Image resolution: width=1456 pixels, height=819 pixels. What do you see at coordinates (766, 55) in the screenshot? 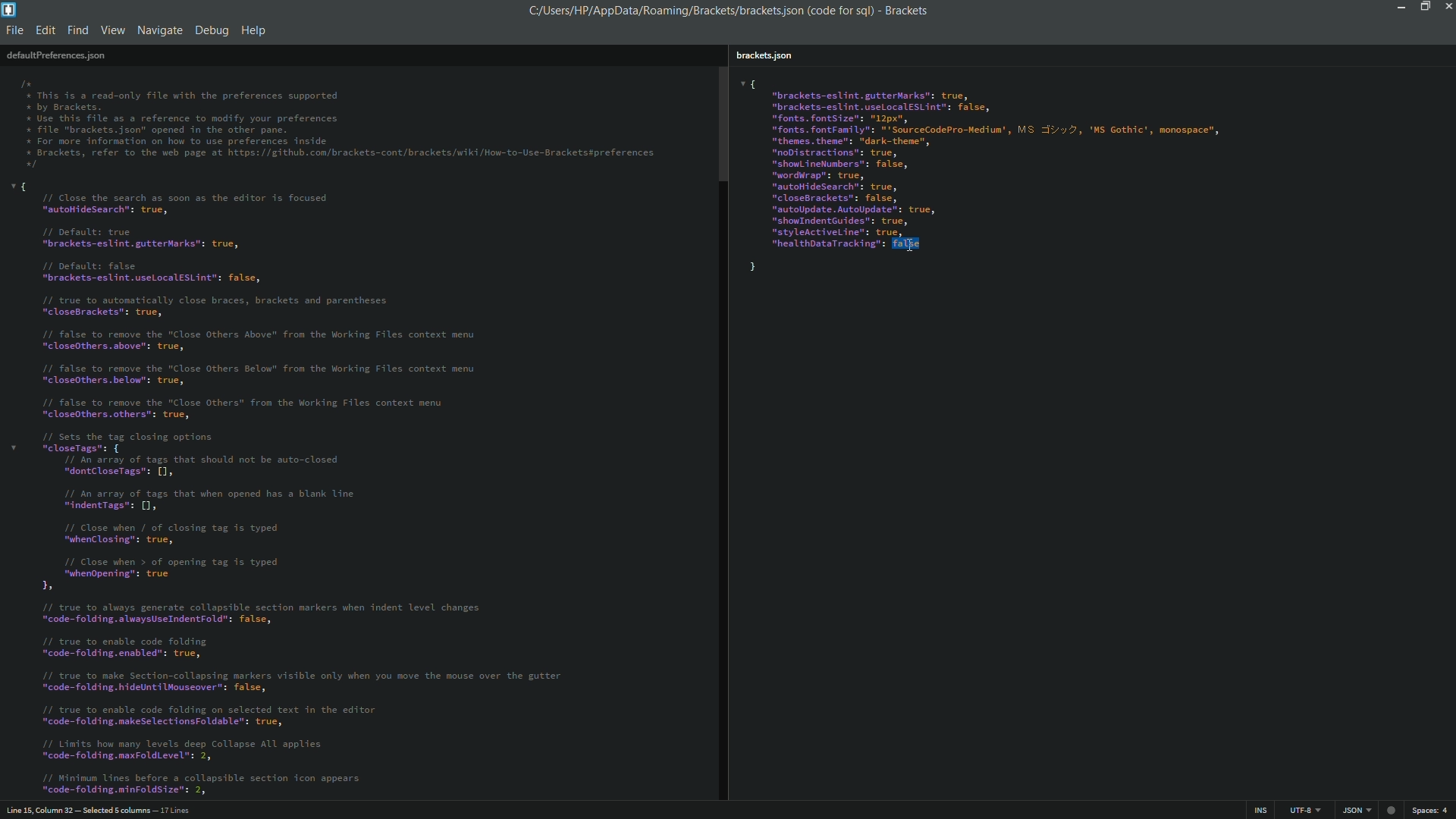
I see `Brackets.json` at bounding box center [766, 55].